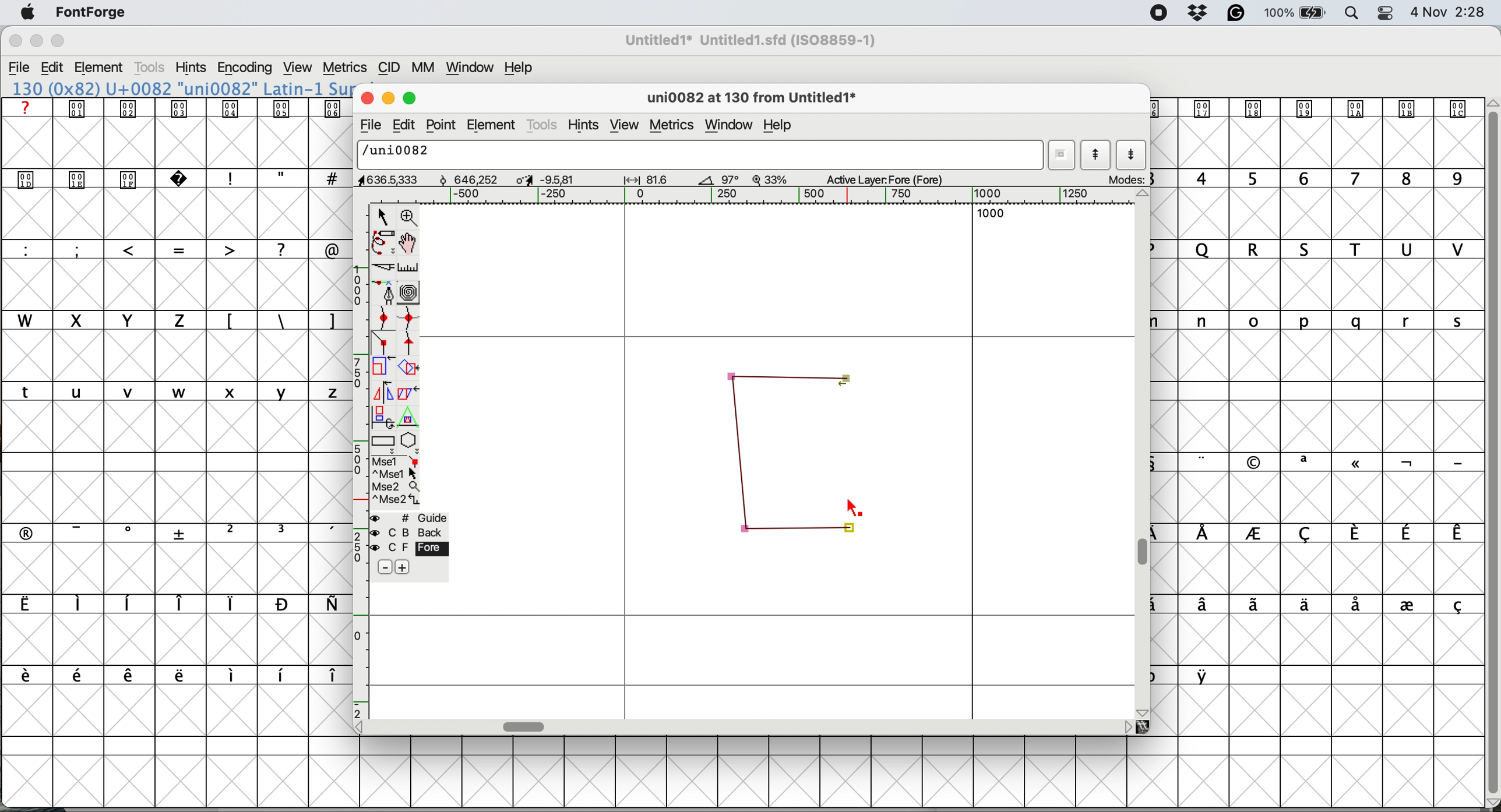 This screenshot has height=812, width=1501. What do you see at coordinates (52, 68) in the screenshot?
I see `edit` at bounding box center [52, 68].